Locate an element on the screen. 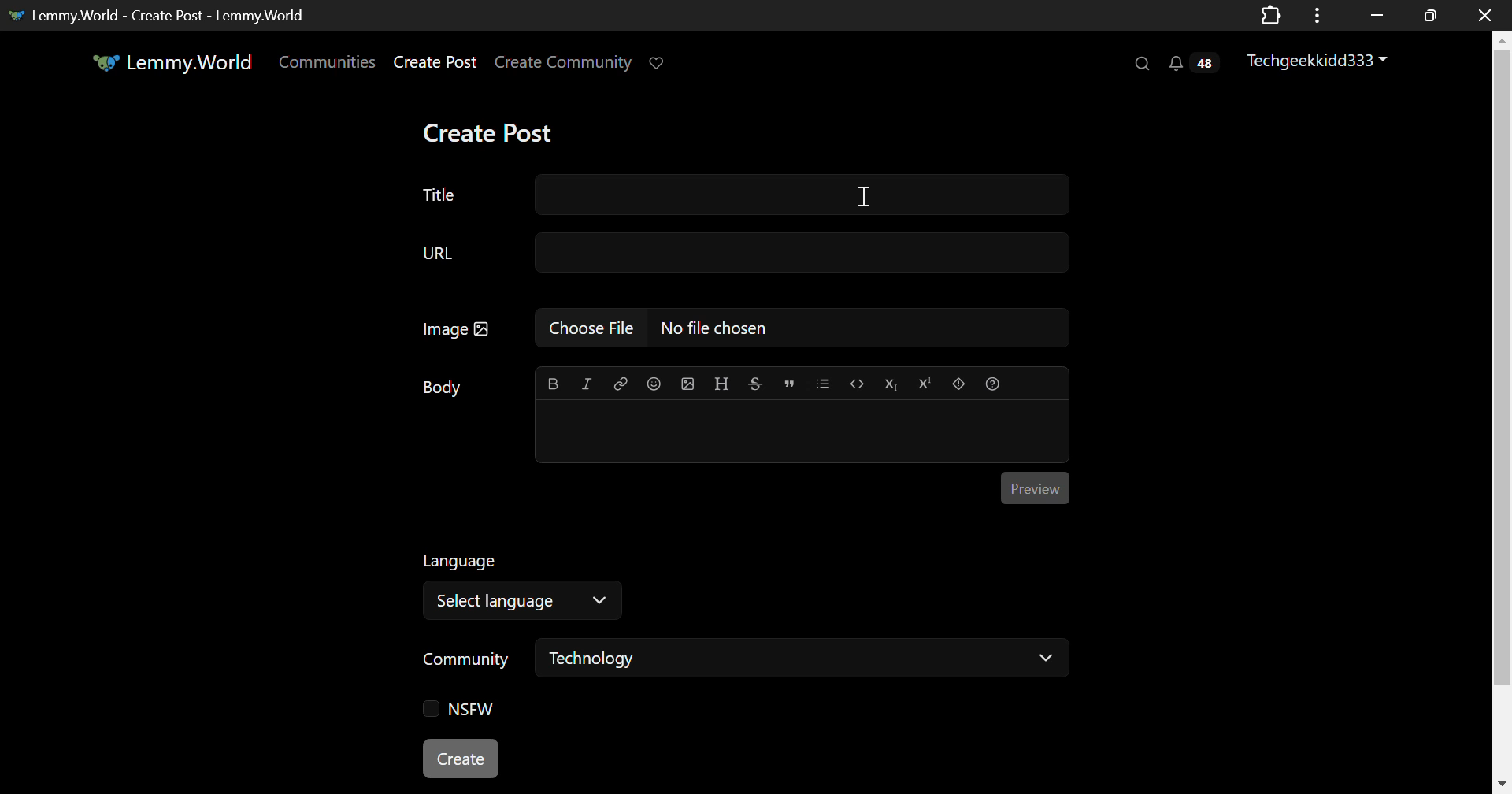  Extensions is located at coordinates (1270, 14).